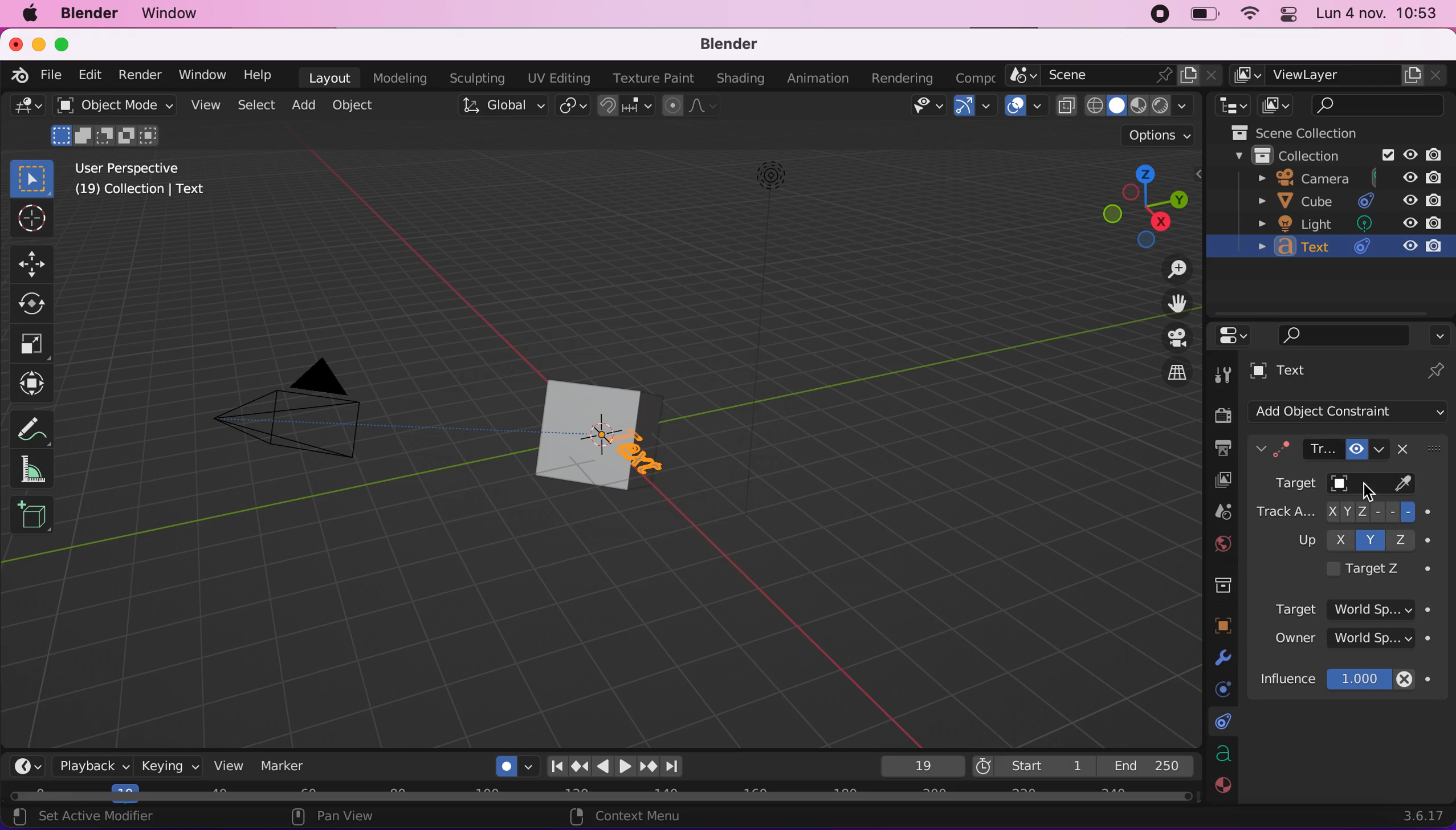 This screenshot has height=830, width=1456. What do you see at coordinates (1317, 486) in the screenshot?
I see `target` at bounding box center [1317, 486].